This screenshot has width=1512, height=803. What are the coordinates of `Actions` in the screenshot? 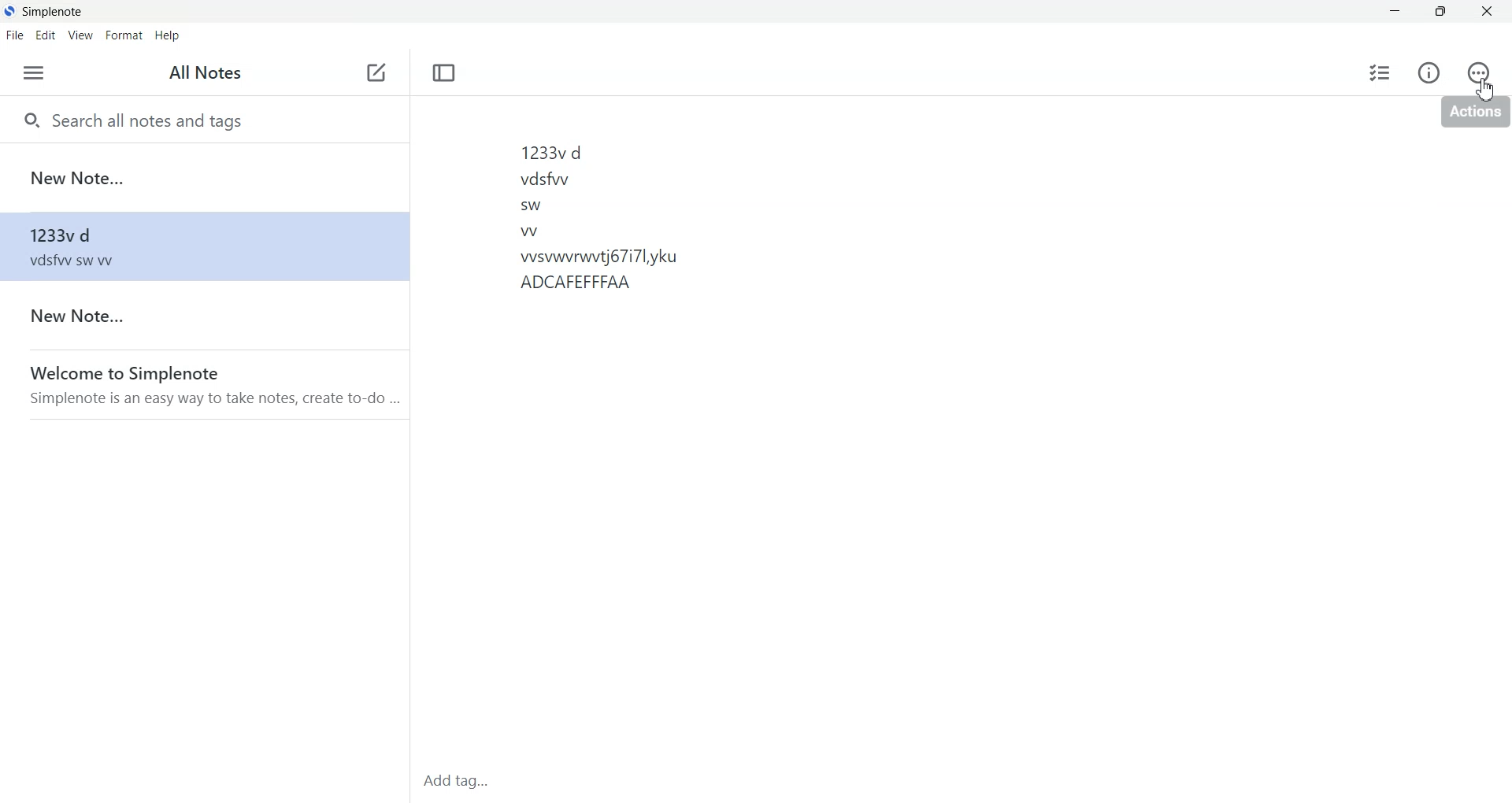 It's located at (1479, 72).